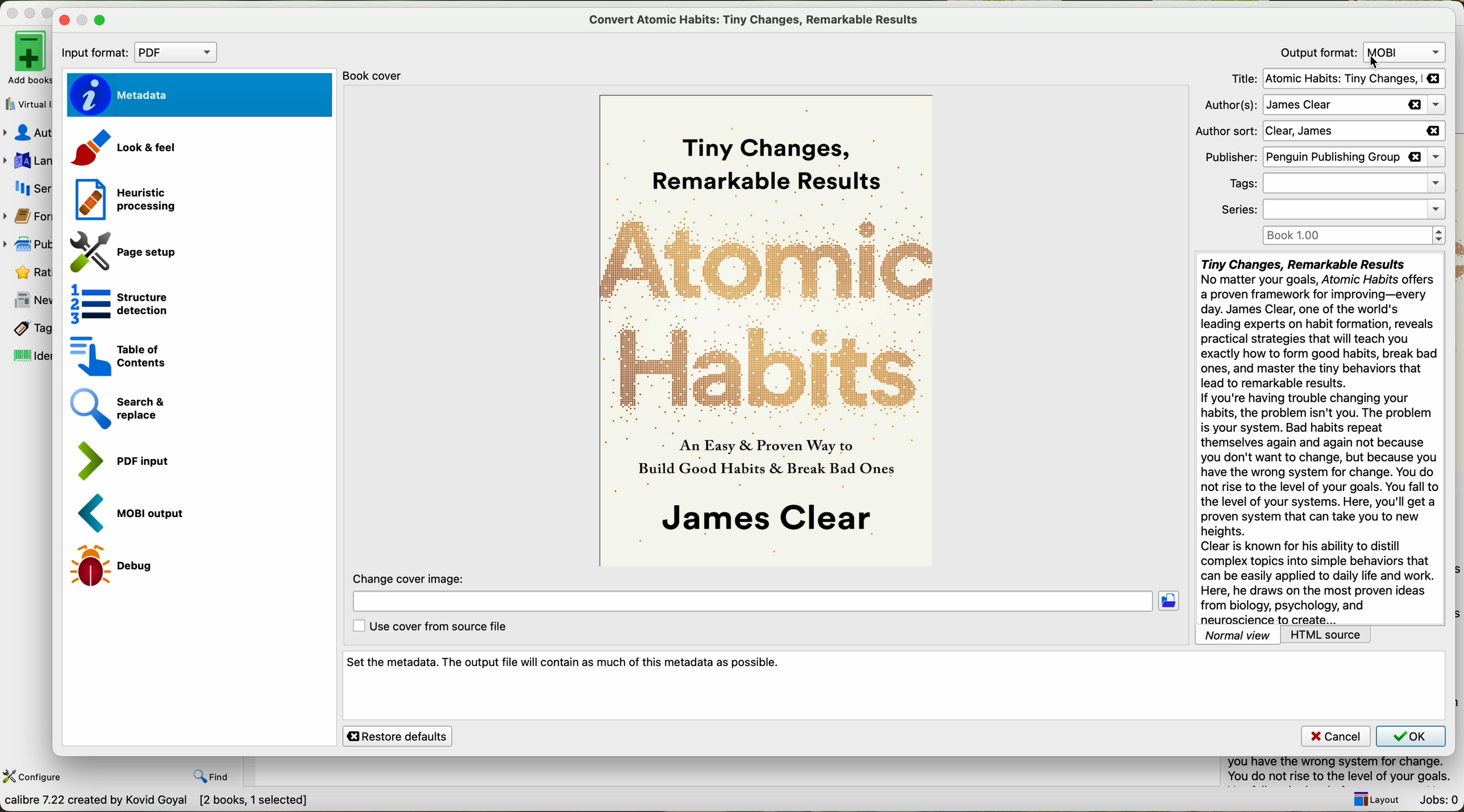  What do you see at coordinates (1376, 799) in the screenshot?
I see `layout` at bounding box center [1376, 799].